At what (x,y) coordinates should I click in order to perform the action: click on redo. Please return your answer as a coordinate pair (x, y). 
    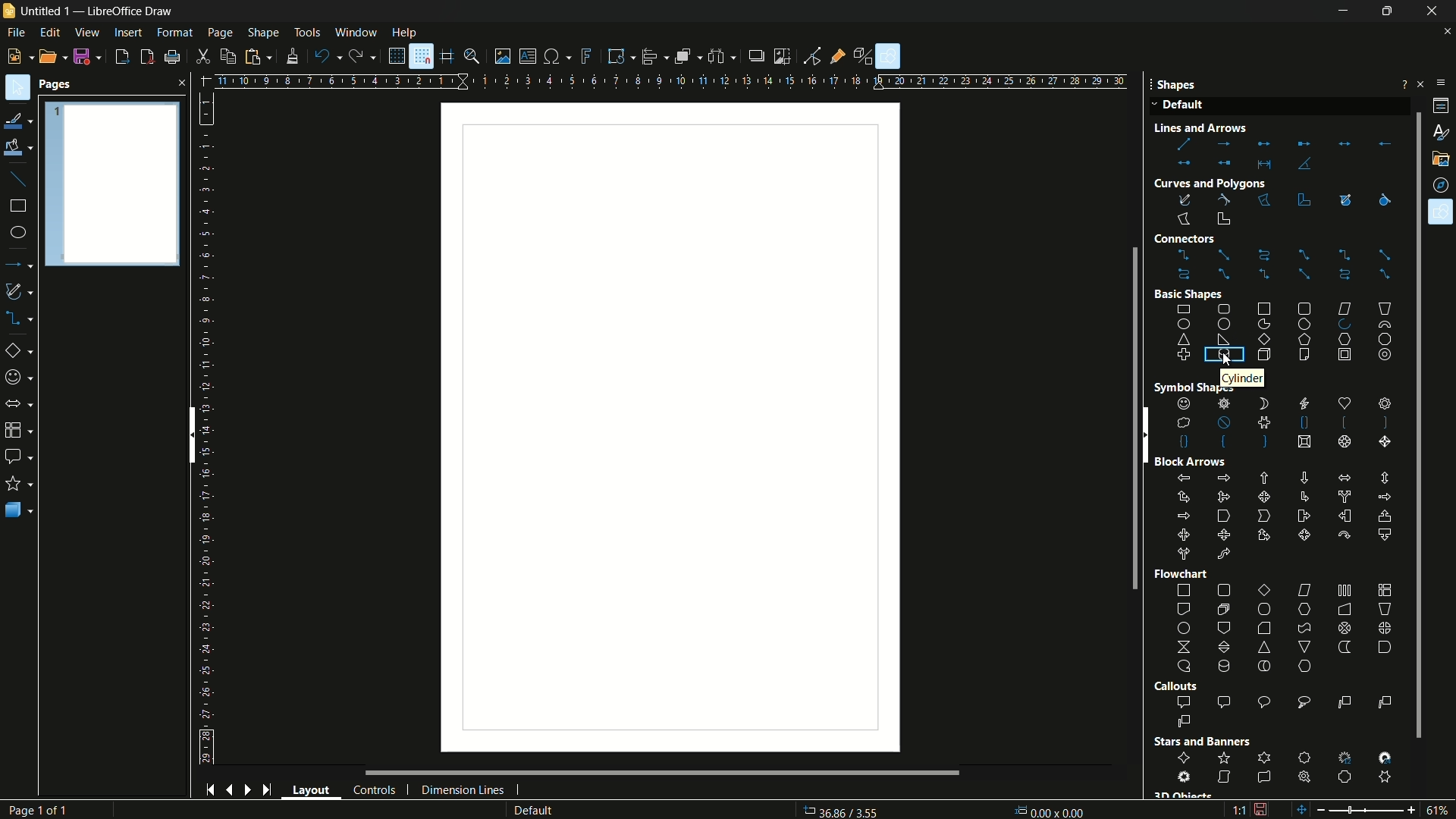
    Looking at the image, I should click on (362, 55).